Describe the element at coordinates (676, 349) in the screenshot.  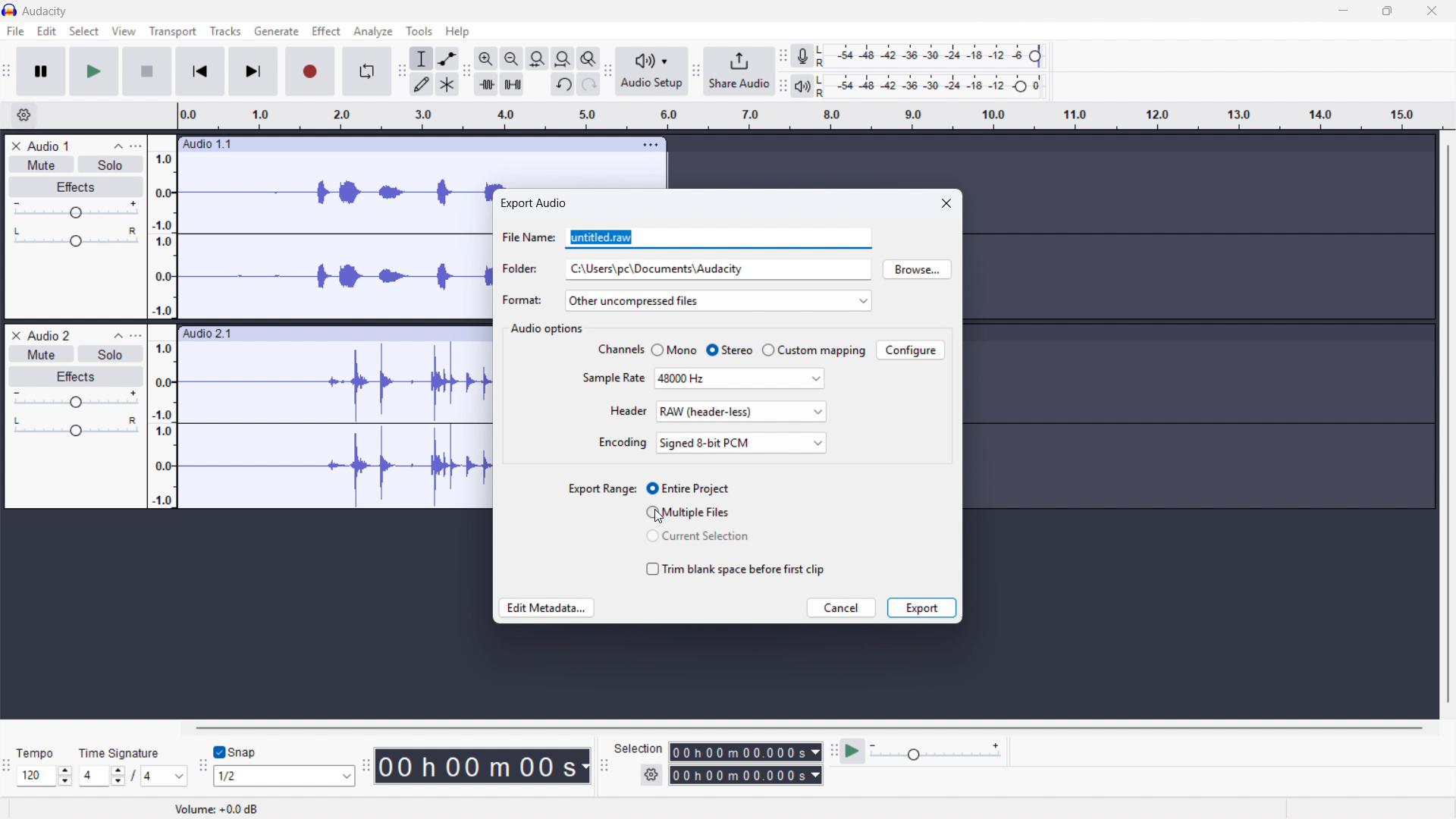
I see `Mono ` at that location.